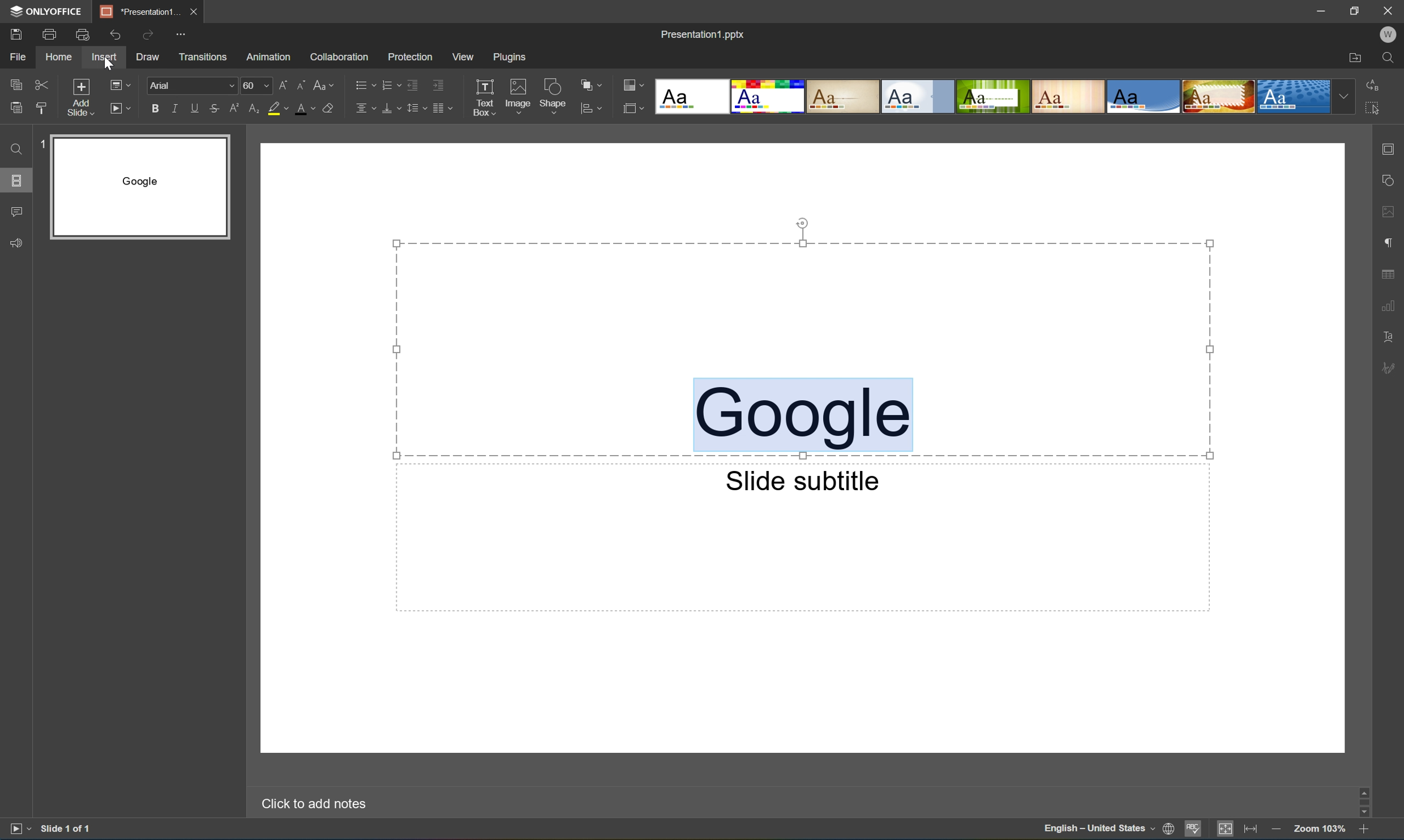 The image size is (1404, 840). Describe the element at coordinates (701, 34) in the screenshot. I see `Presentation1.pptx` at that location.